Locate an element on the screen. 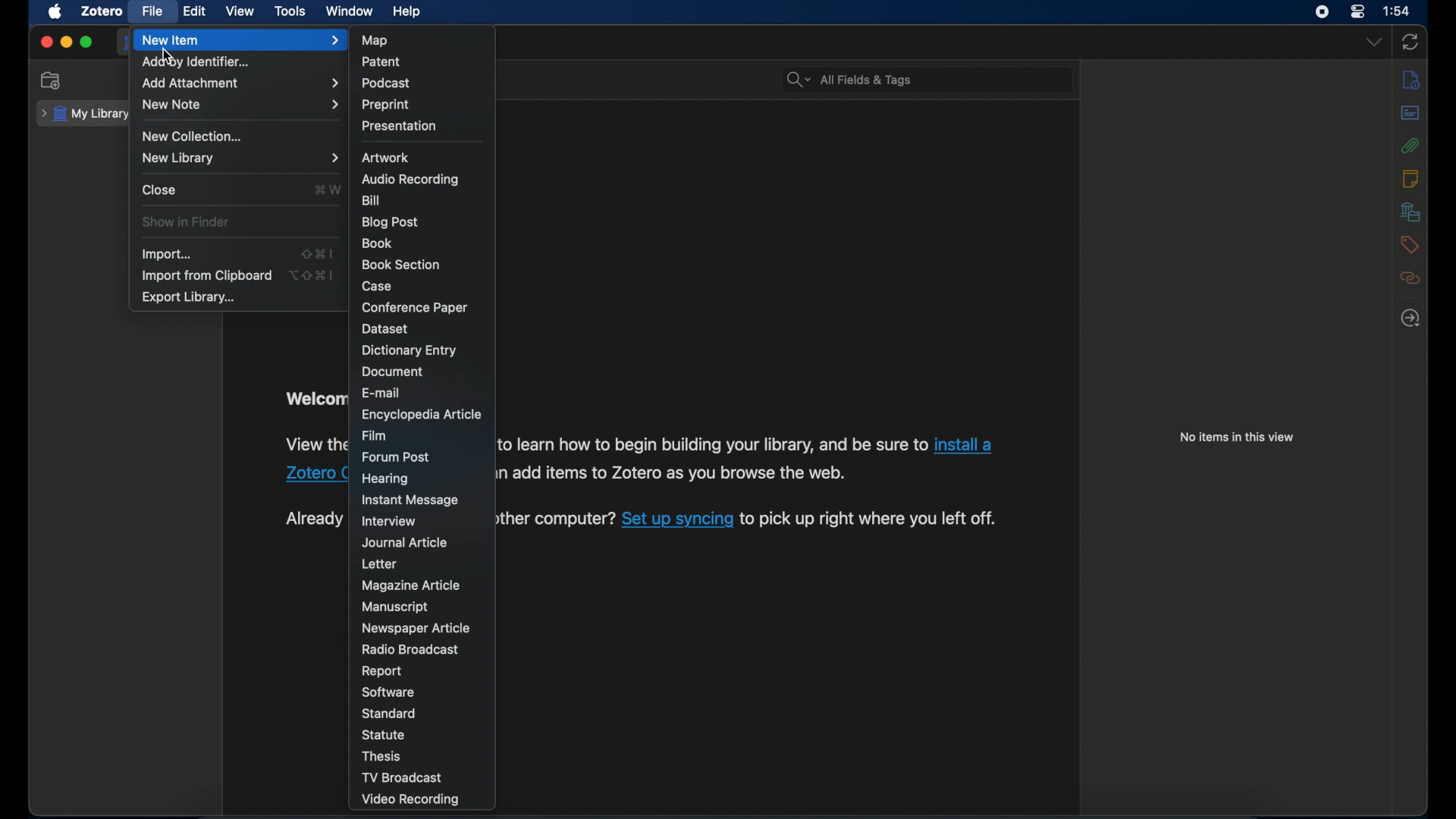 The height and width of the screenshot is (819, 1456). encyclopedia article is located at coordinates (422, 415).